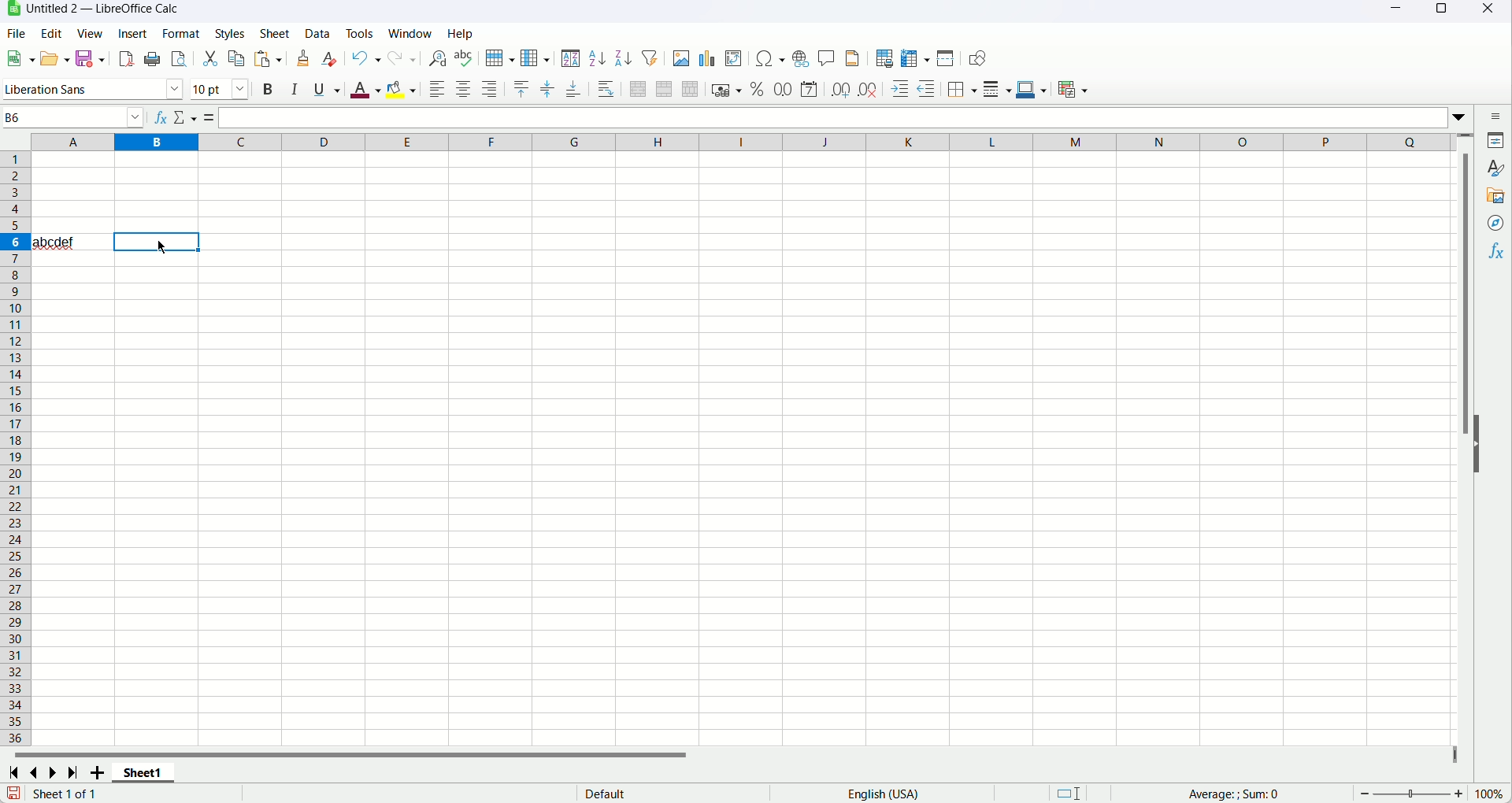 The height and width of the screenshot is (803, 1512). What do you see at coordinates (770, 58) in the screenshot?
I see `insert special character` at bounding box center [770, 58].